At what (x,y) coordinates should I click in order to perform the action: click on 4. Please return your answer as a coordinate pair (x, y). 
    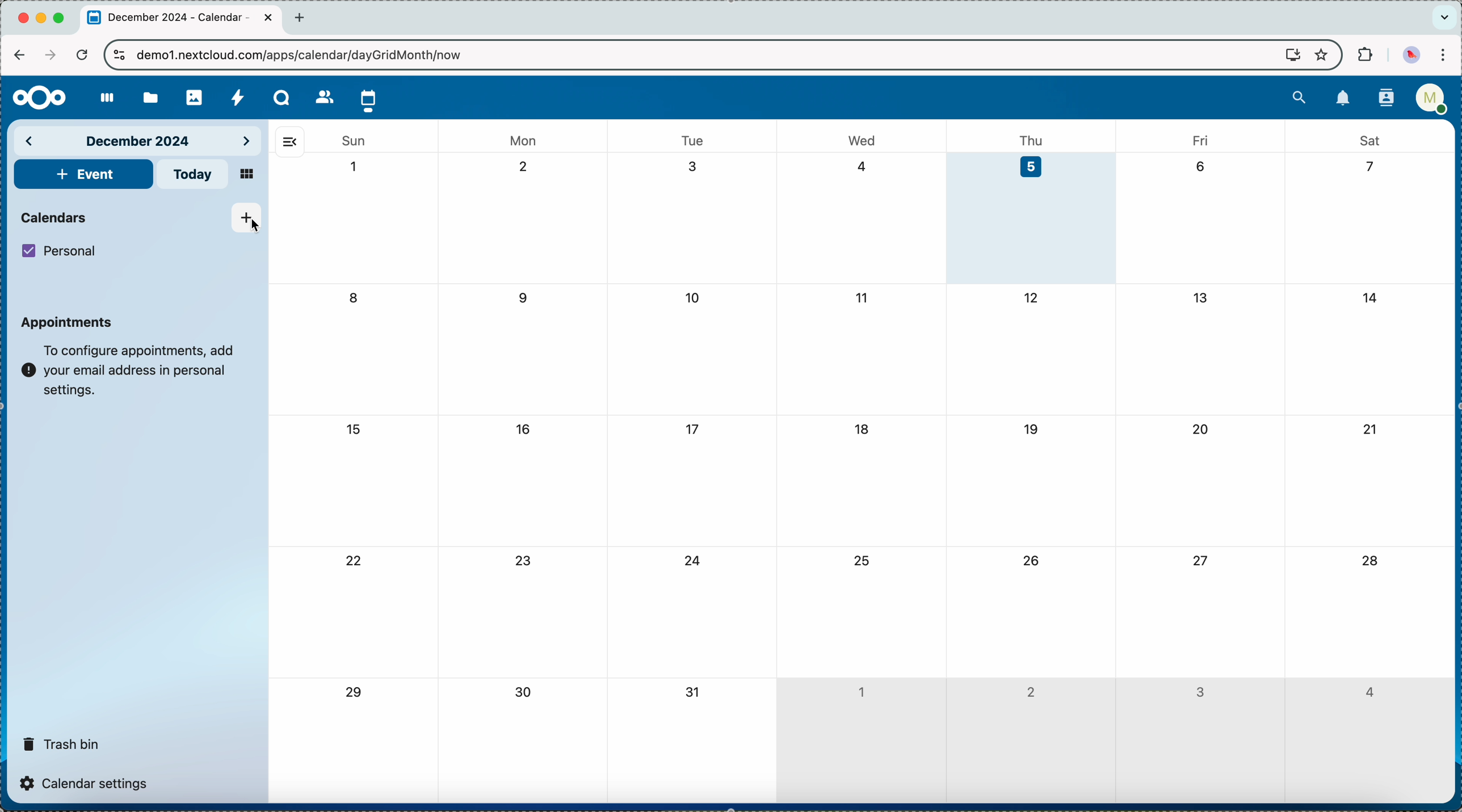
    Looking at the image, I should click on (1368, 692).